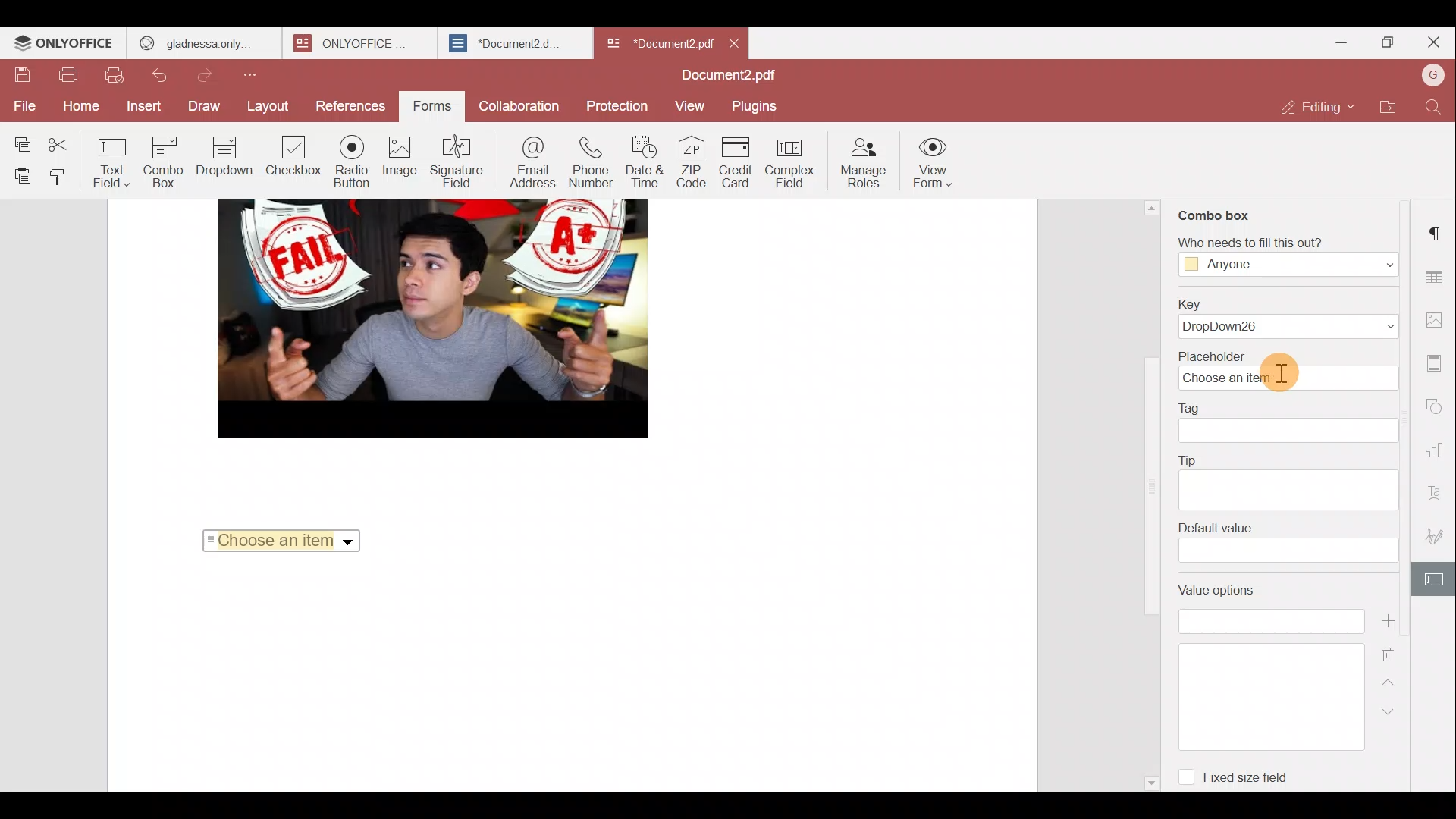 Image resolution: width=1456 pixels, height=819 pixels. Describe the element at coordinates (1216, 212) in the screenshot. I see `Combo box` at that location.